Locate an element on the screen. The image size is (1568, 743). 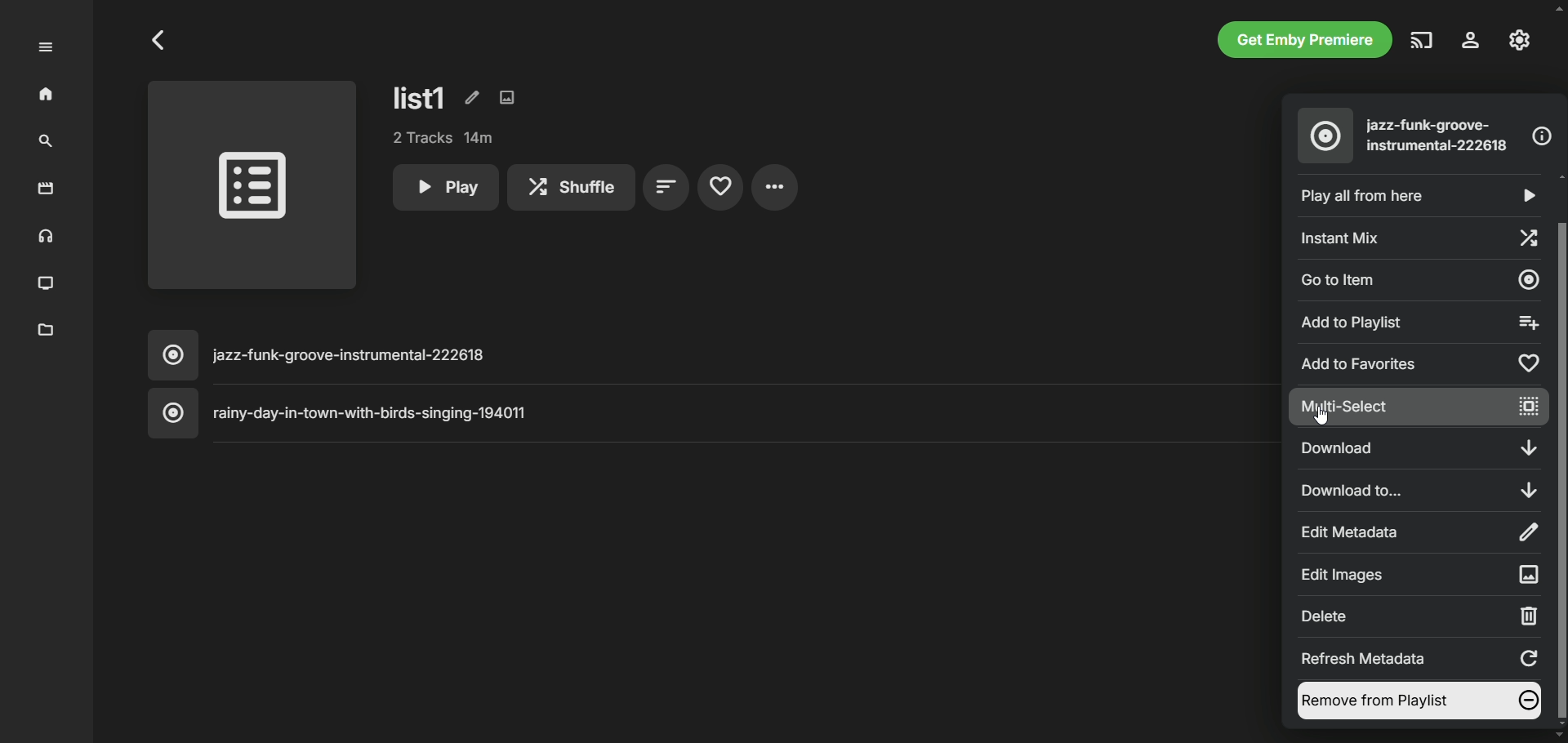
TV shows is located at coordinates (47, 284).